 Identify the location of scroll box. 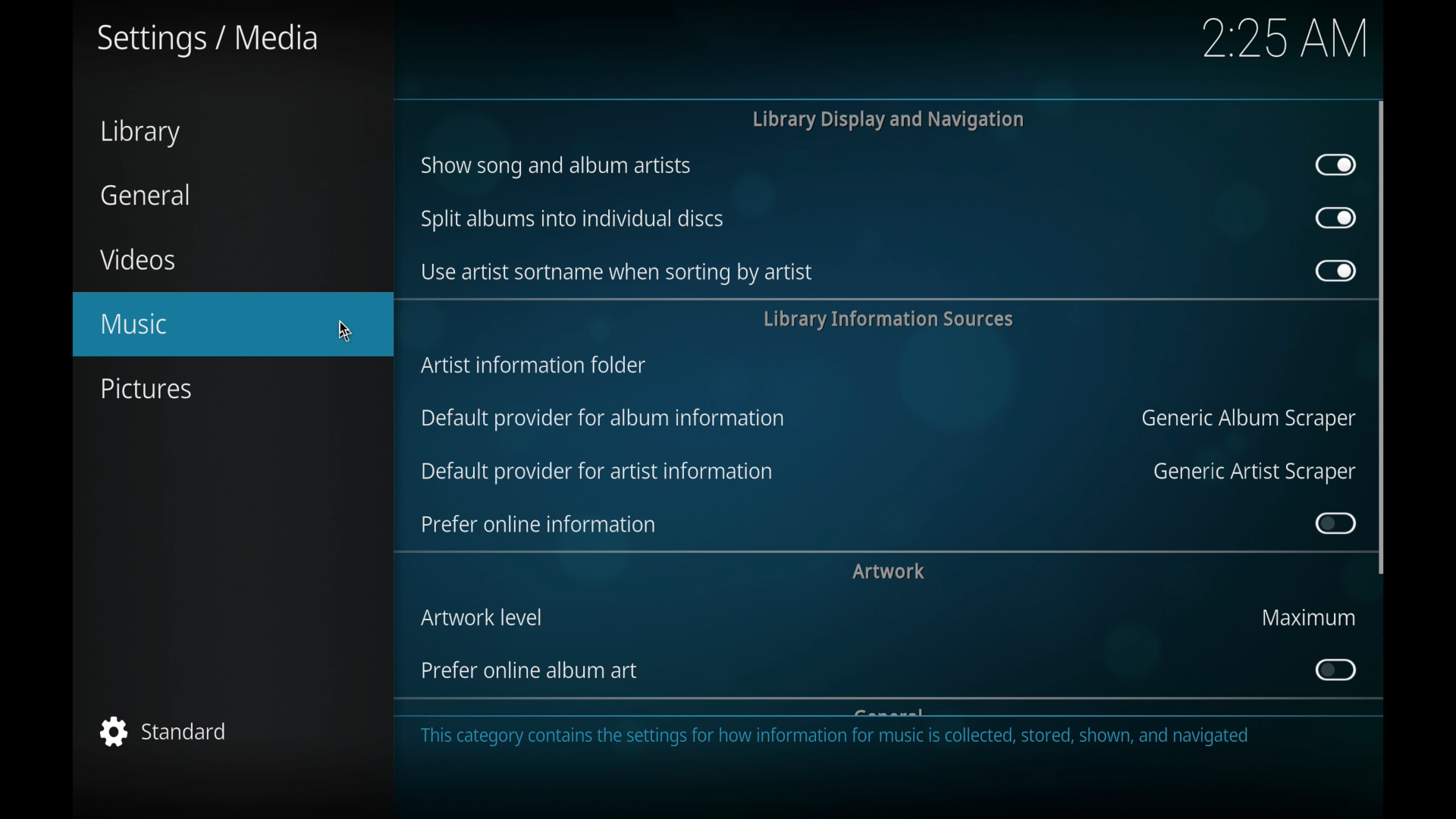
(1383, 337).